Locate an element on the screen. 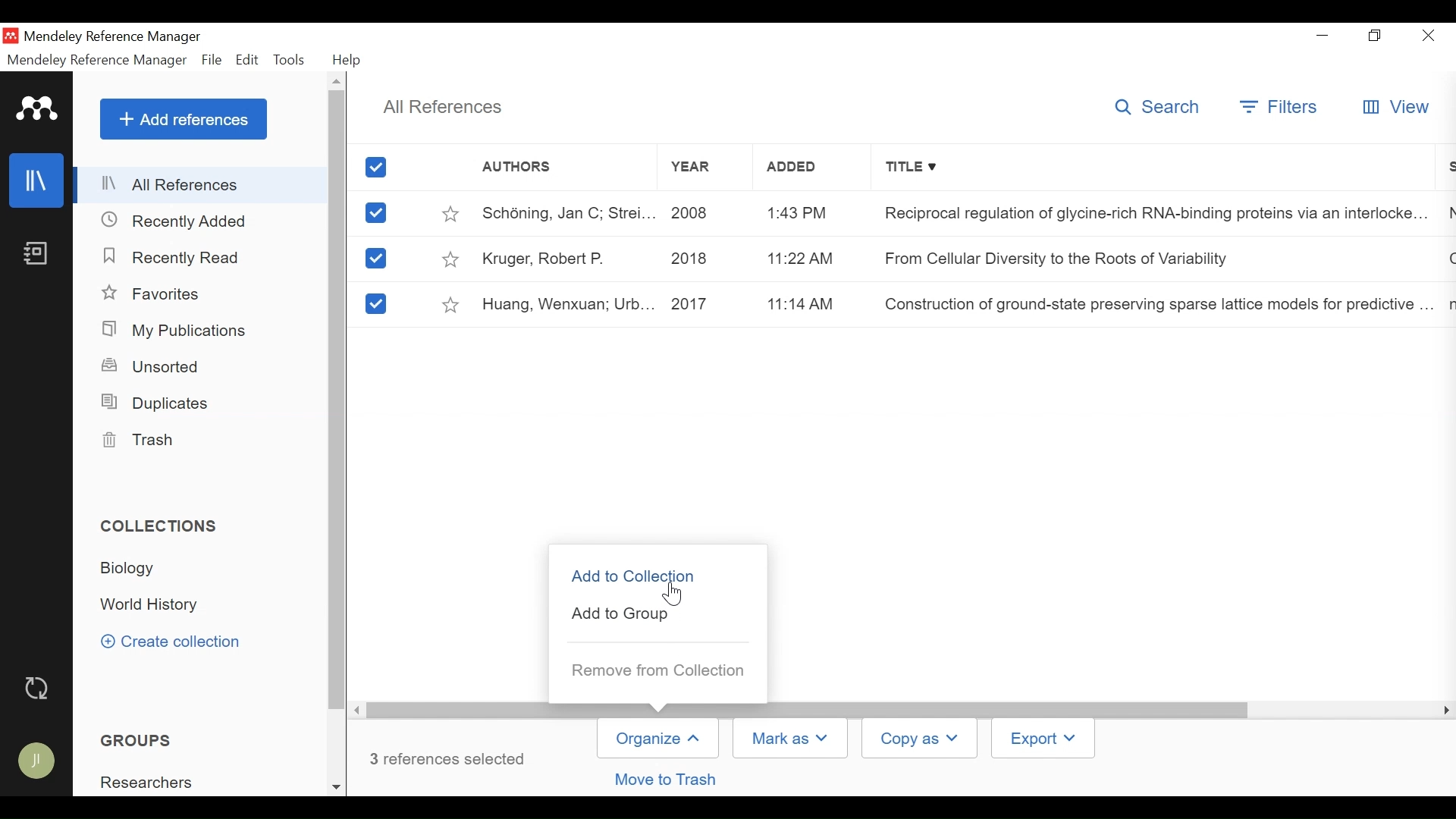 The height and width of the screenshot is (819, 1456). 11:22 AM is located at coordinates (800, 260).